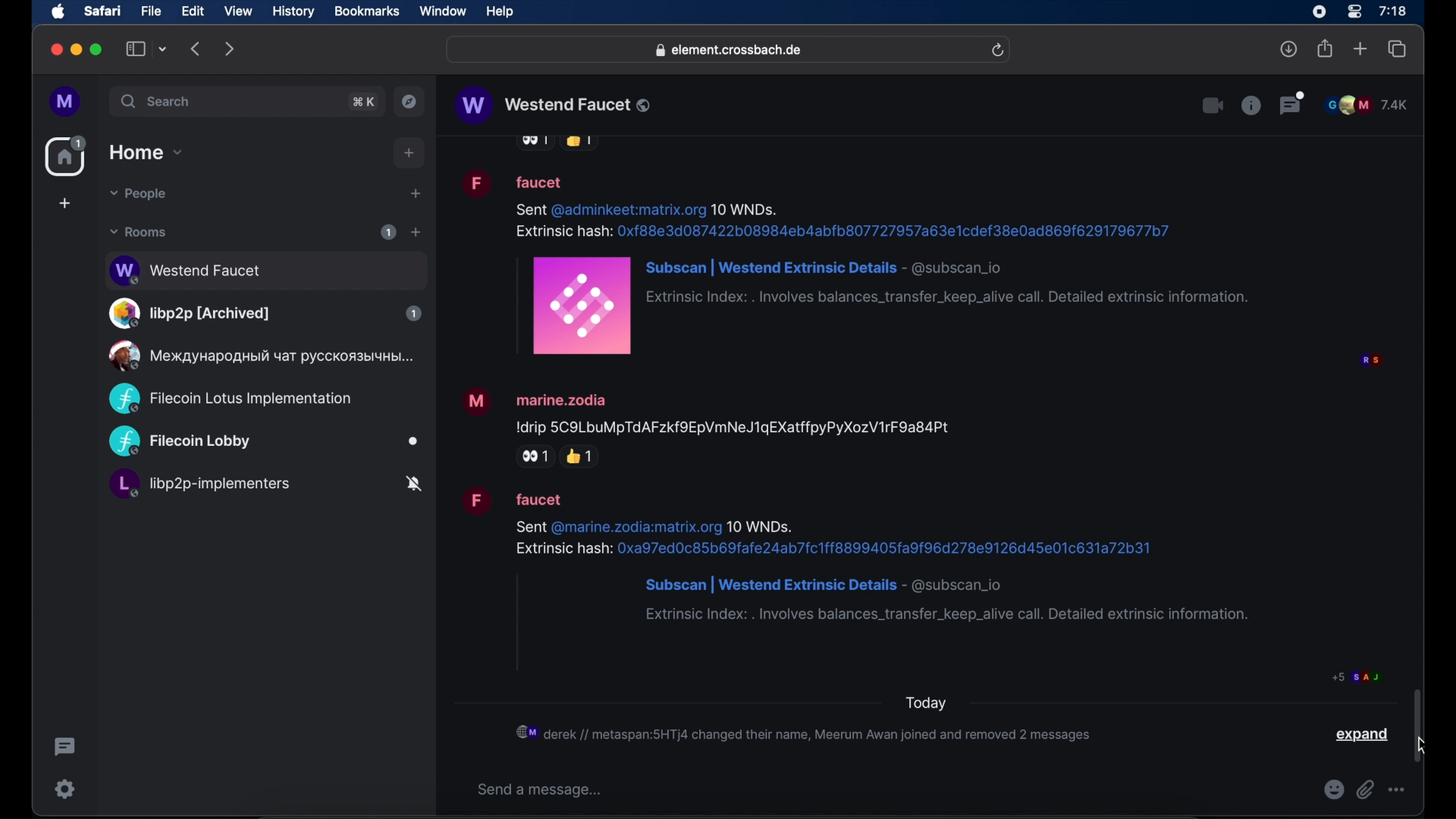  What do you see at coordinates (533, 143) in the screenshot?
I see `obscured icon` at bounding box center [533, 143].